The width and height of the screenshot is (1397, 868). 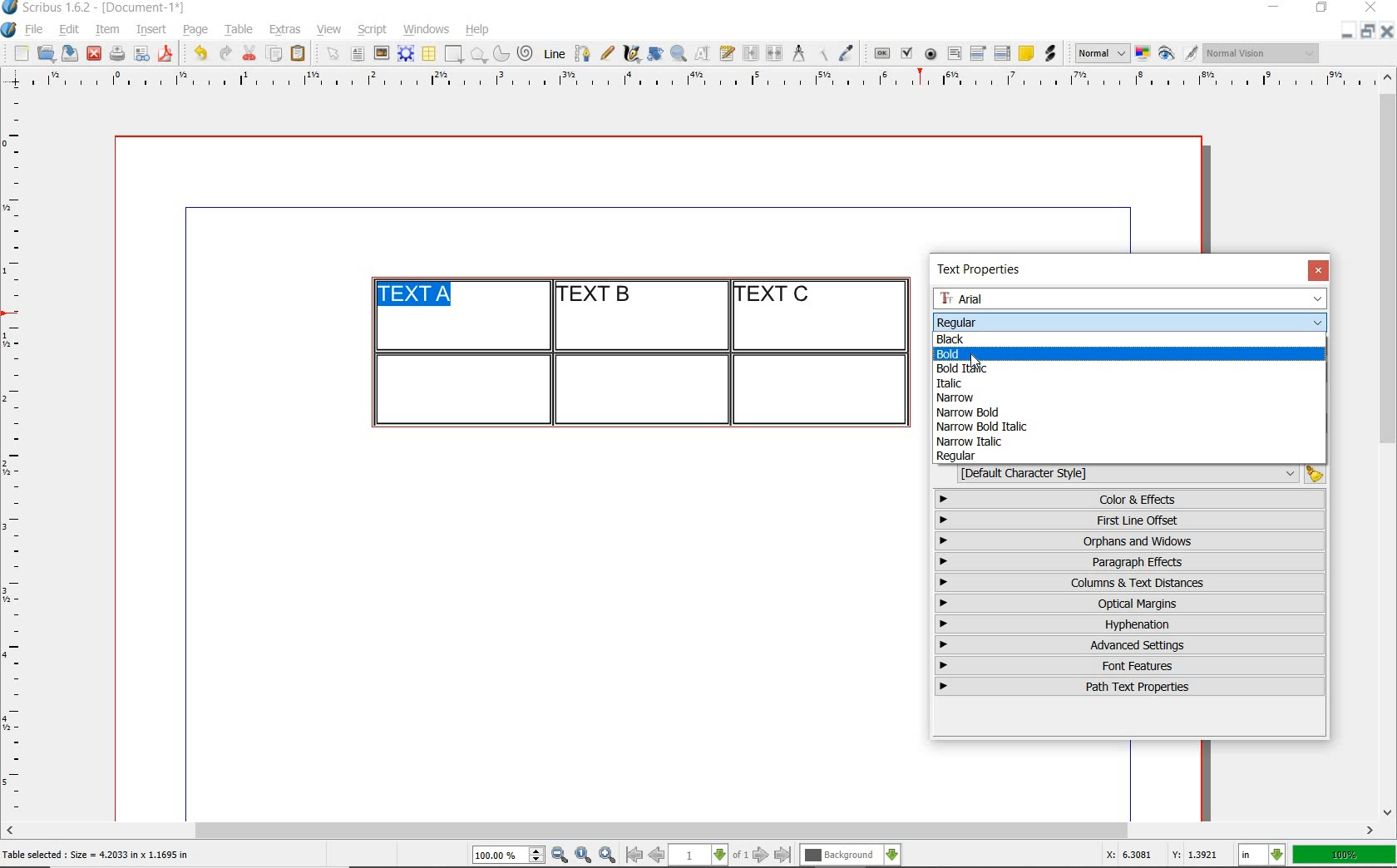 I want to click on new, so click(x=19, y=53).